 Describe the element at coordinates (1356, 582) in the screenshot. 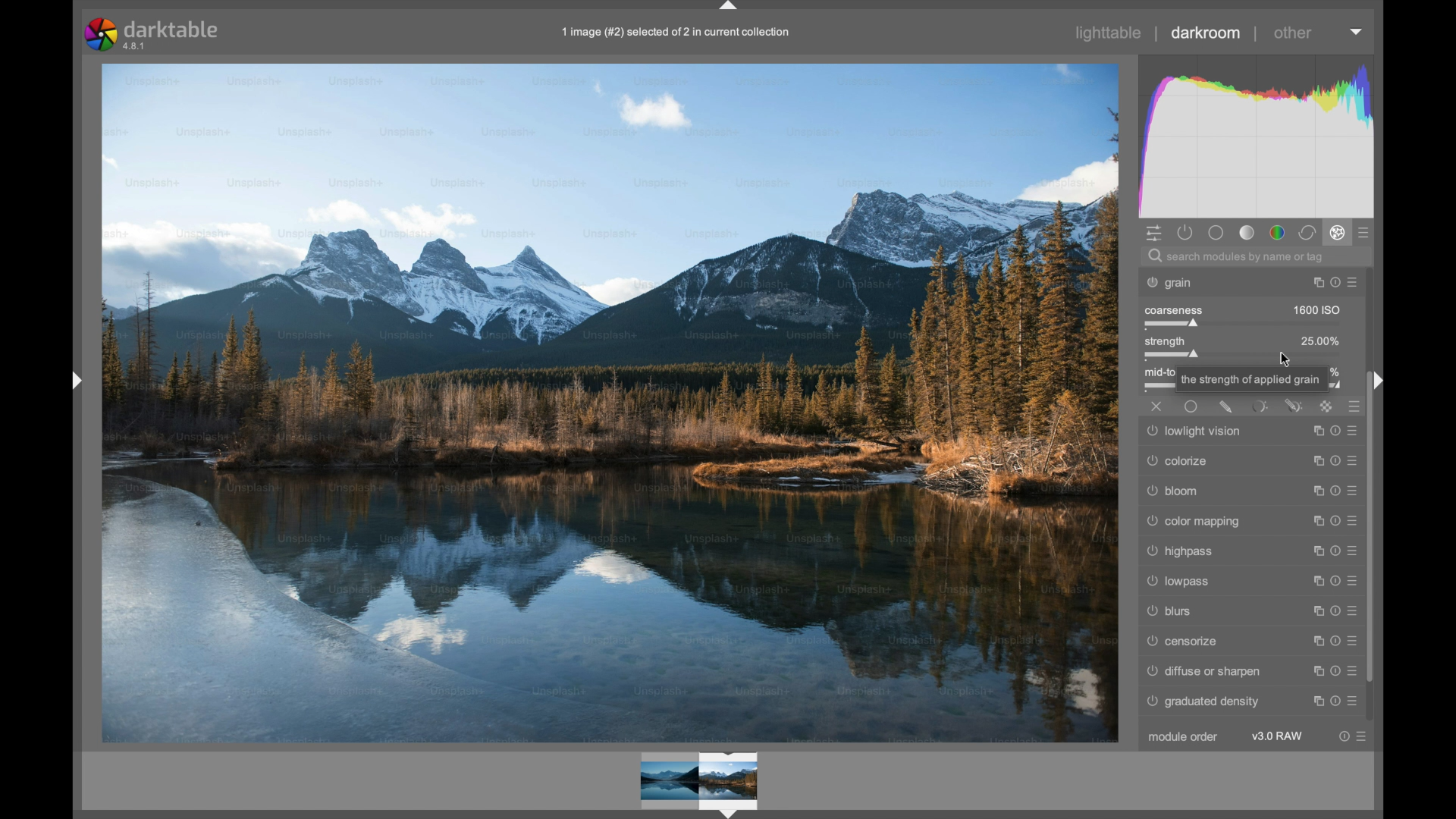

I see `presets` at that location.